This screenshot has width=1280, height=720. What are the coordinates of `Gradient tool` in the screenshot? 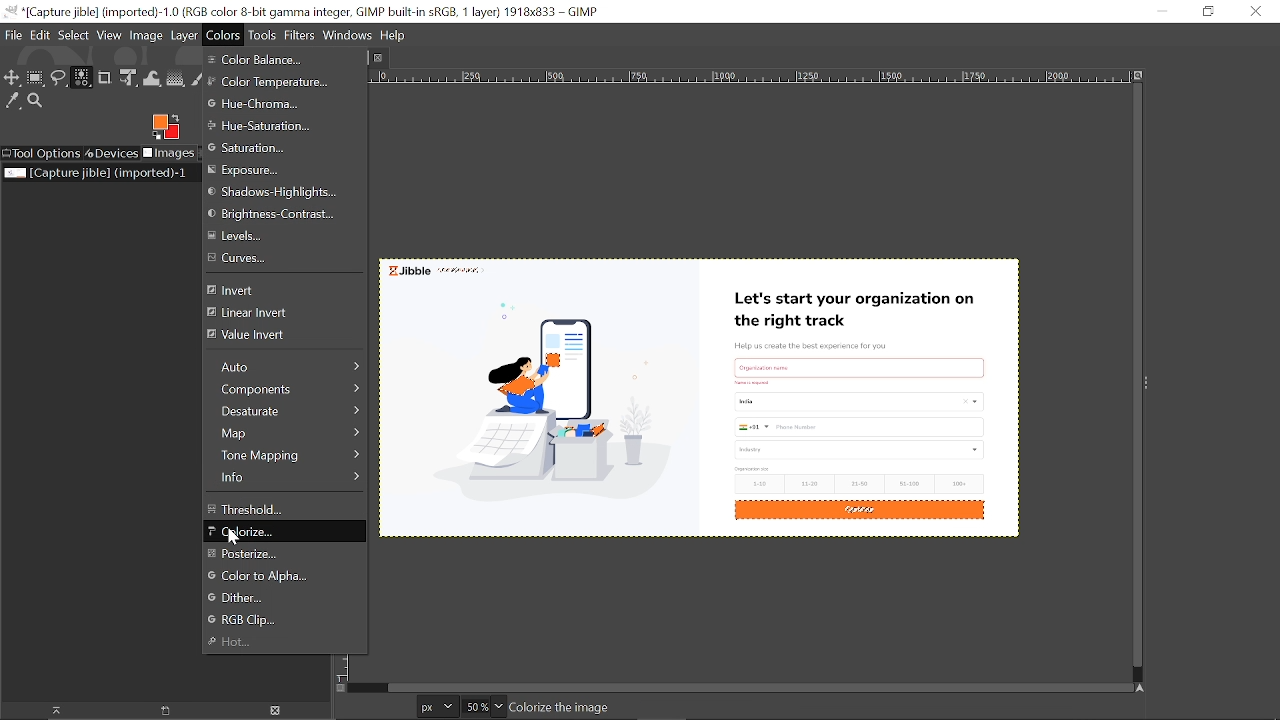 It's located at (176, 79).